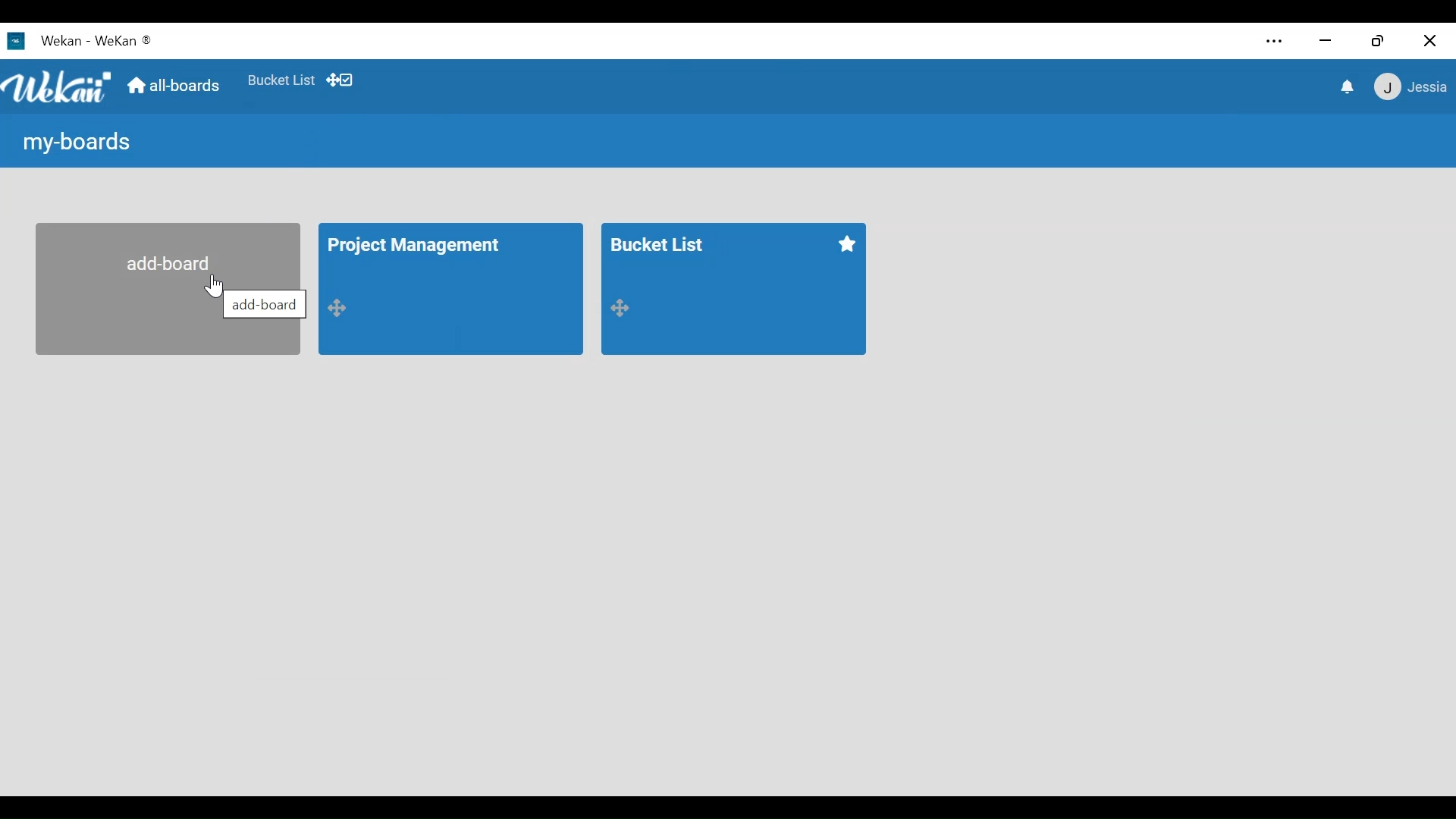  I want to click on My boards, so click(74, 144).